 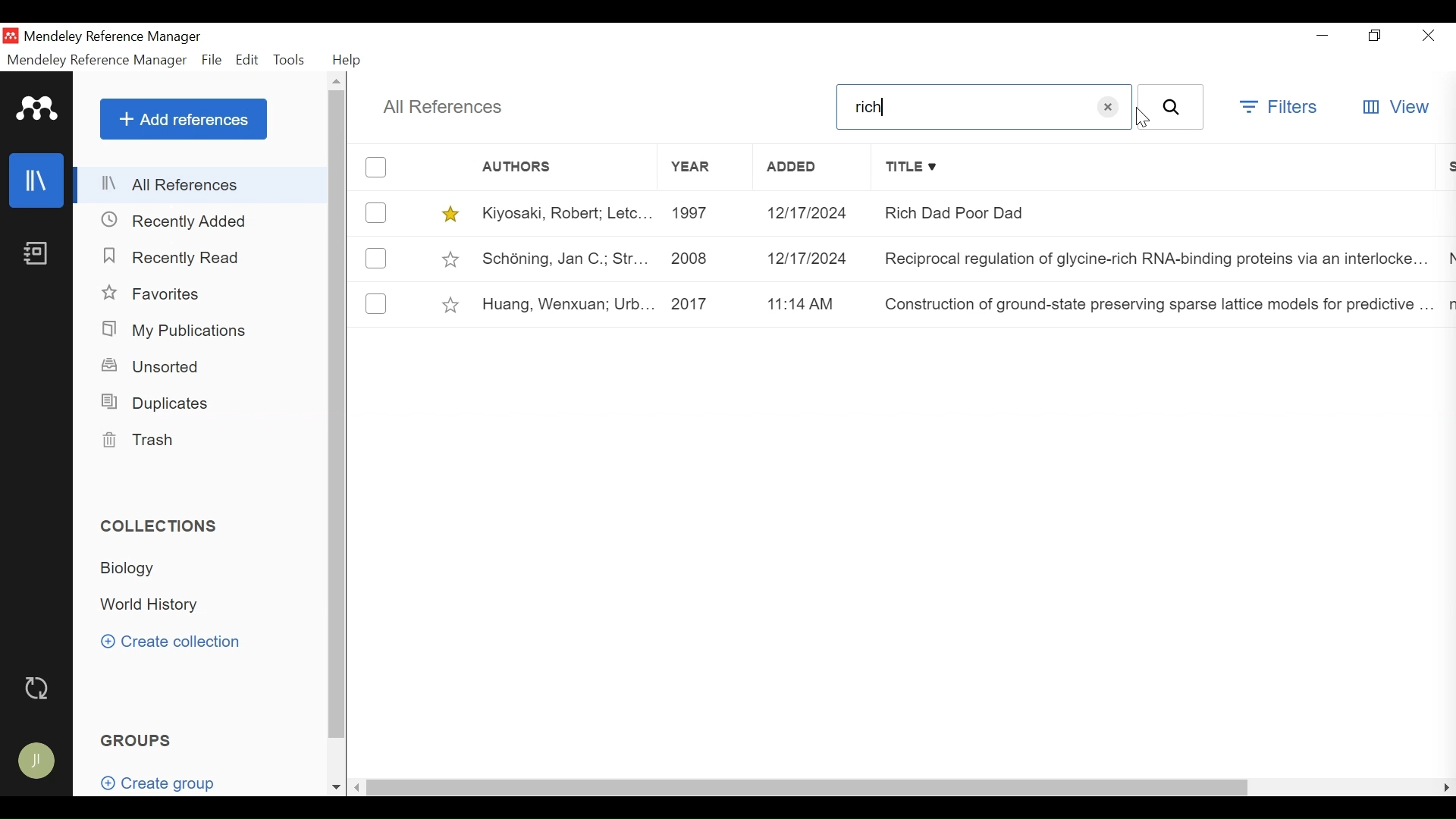 I want to click on All References, so click(x=444, y=108).